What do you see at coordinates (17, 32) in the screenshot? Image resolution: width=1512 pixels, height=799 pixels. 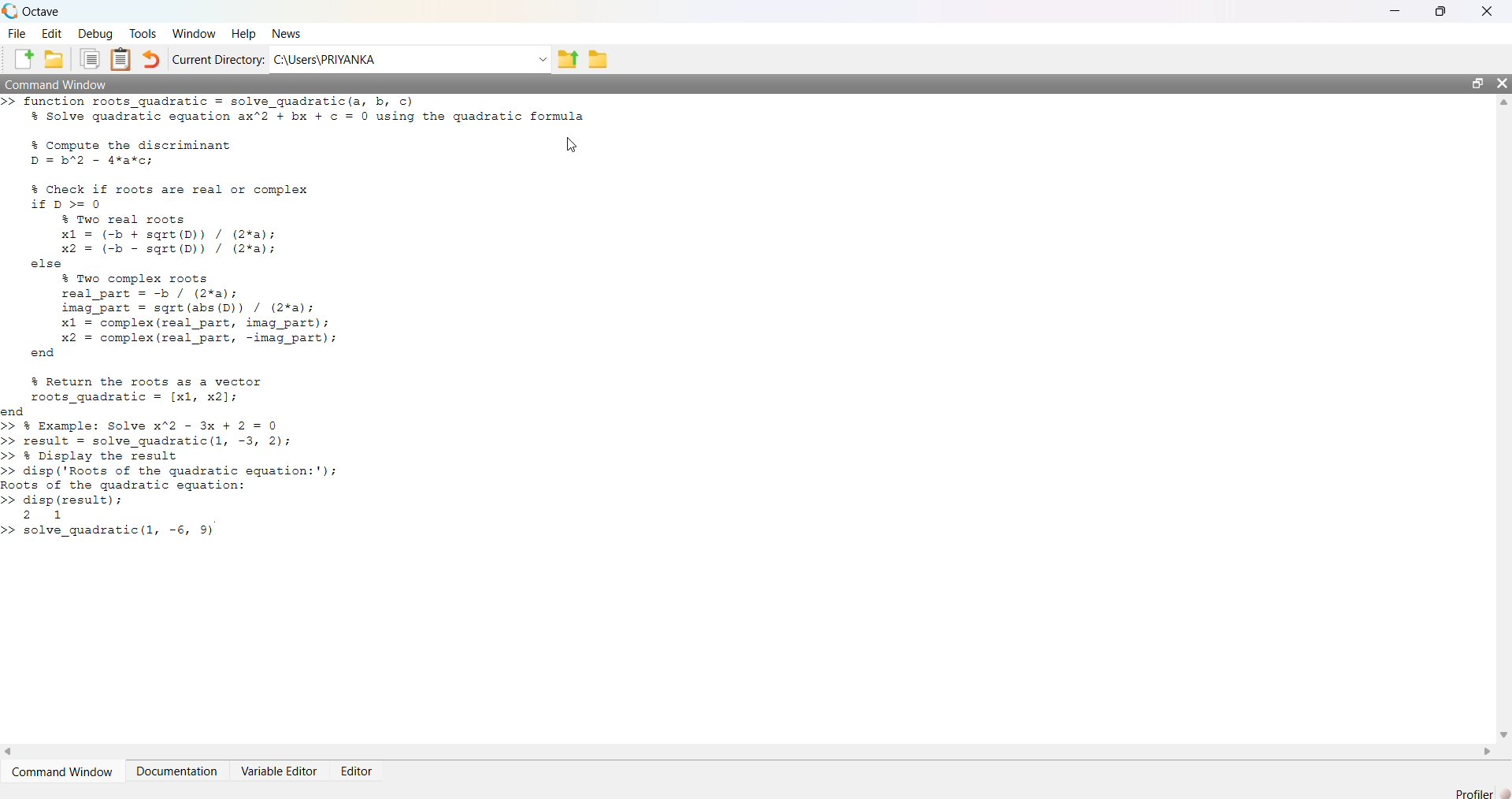 I see `File` at bounding box center [17, 32].